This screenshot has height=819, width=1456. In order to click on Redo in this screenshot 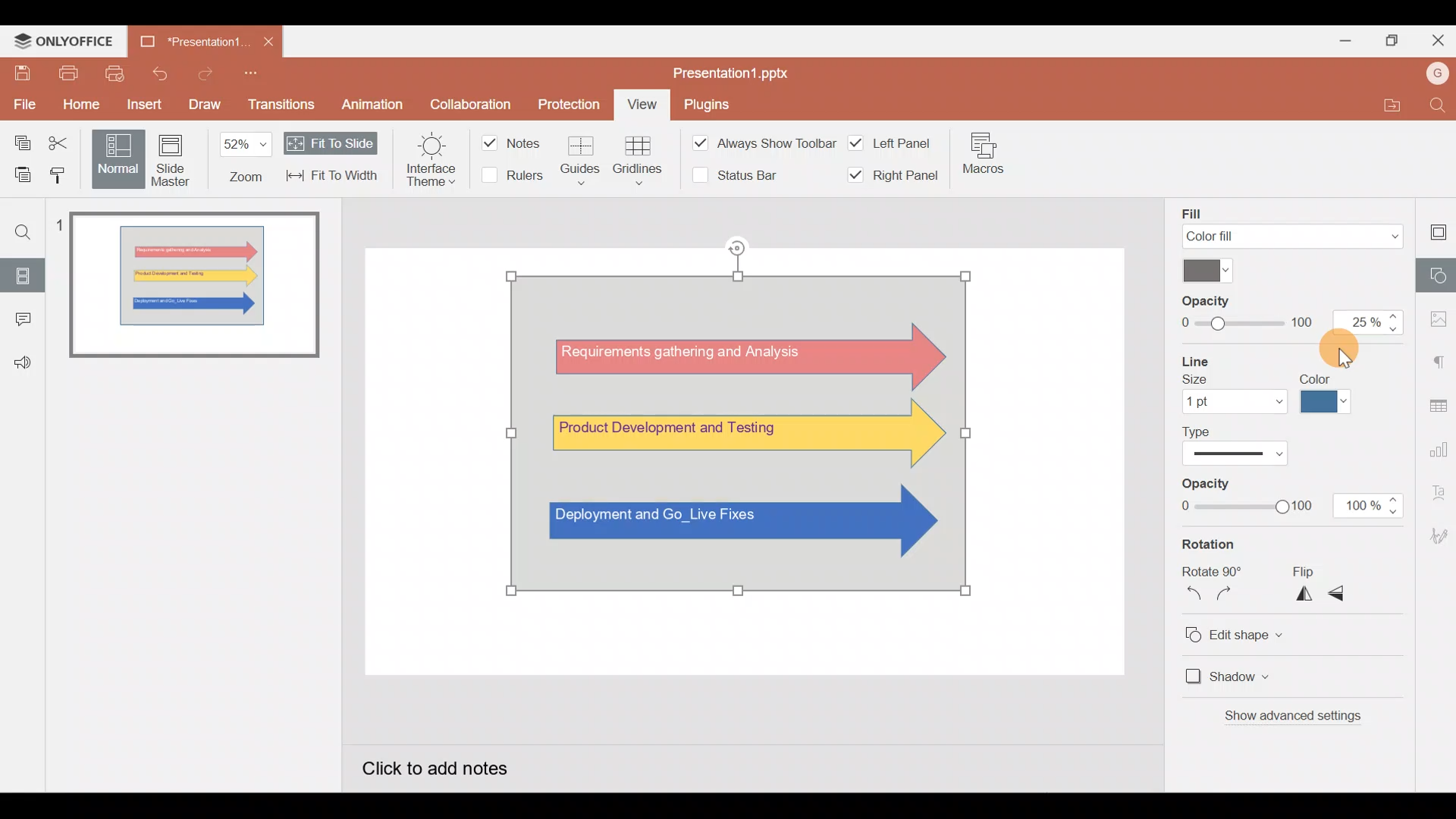, I will do `click(203, 73)`.